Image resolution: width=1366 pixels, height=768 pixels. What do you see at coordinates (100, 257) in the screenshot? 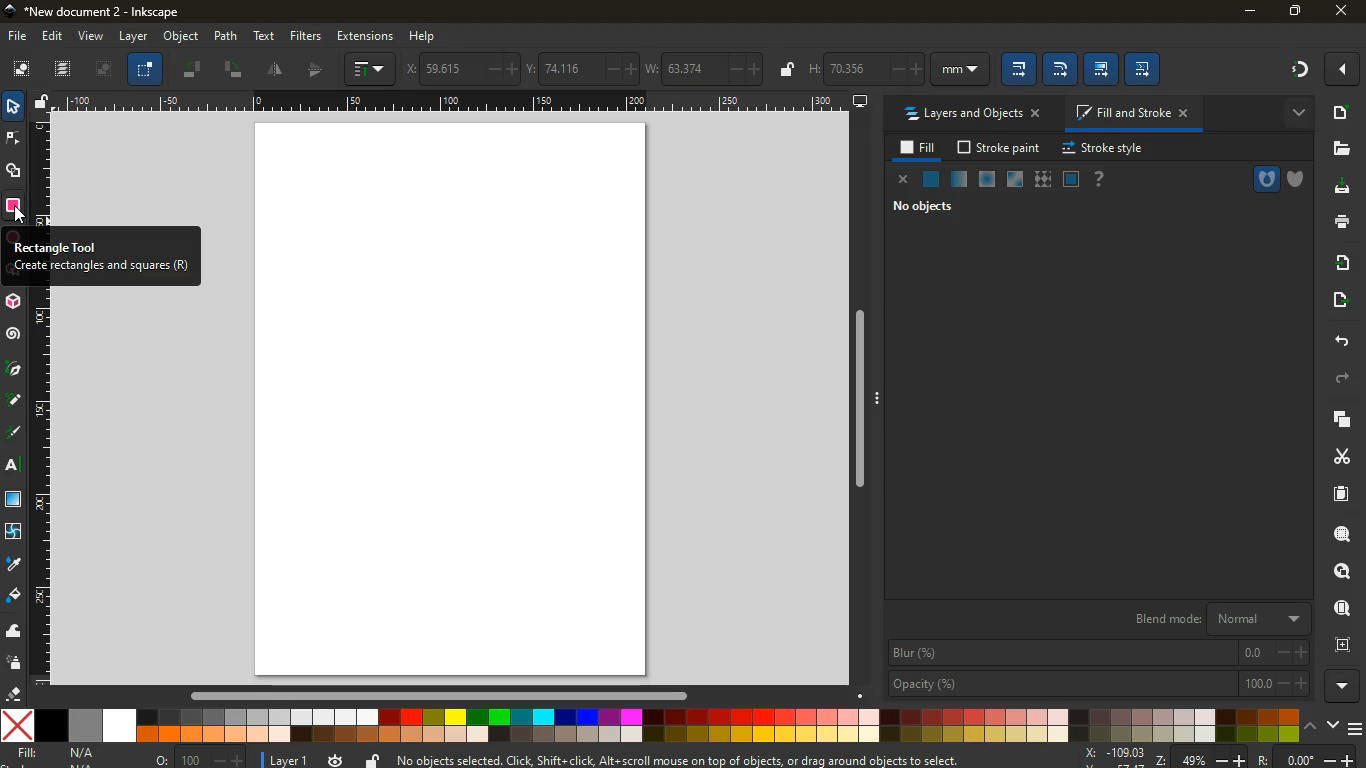
I see `description` at bounding box center [100, 257].